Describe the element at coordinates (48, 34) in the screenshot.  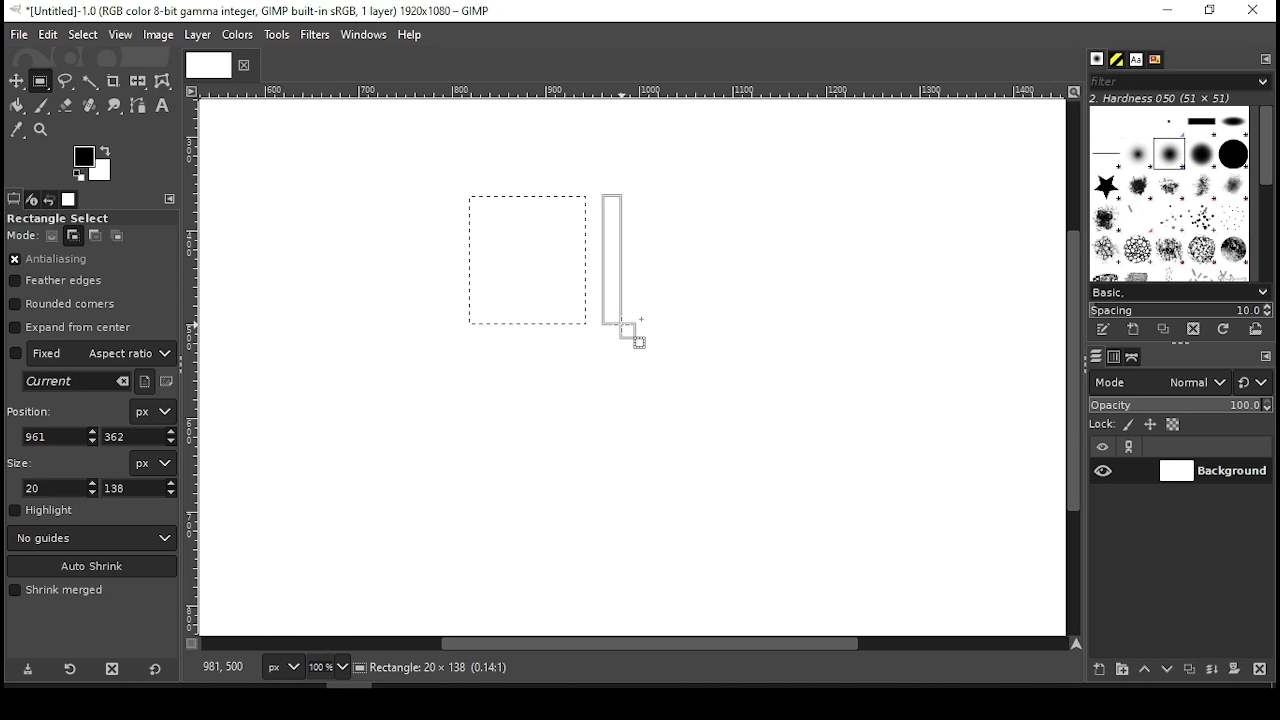
I see `edit` at that location.